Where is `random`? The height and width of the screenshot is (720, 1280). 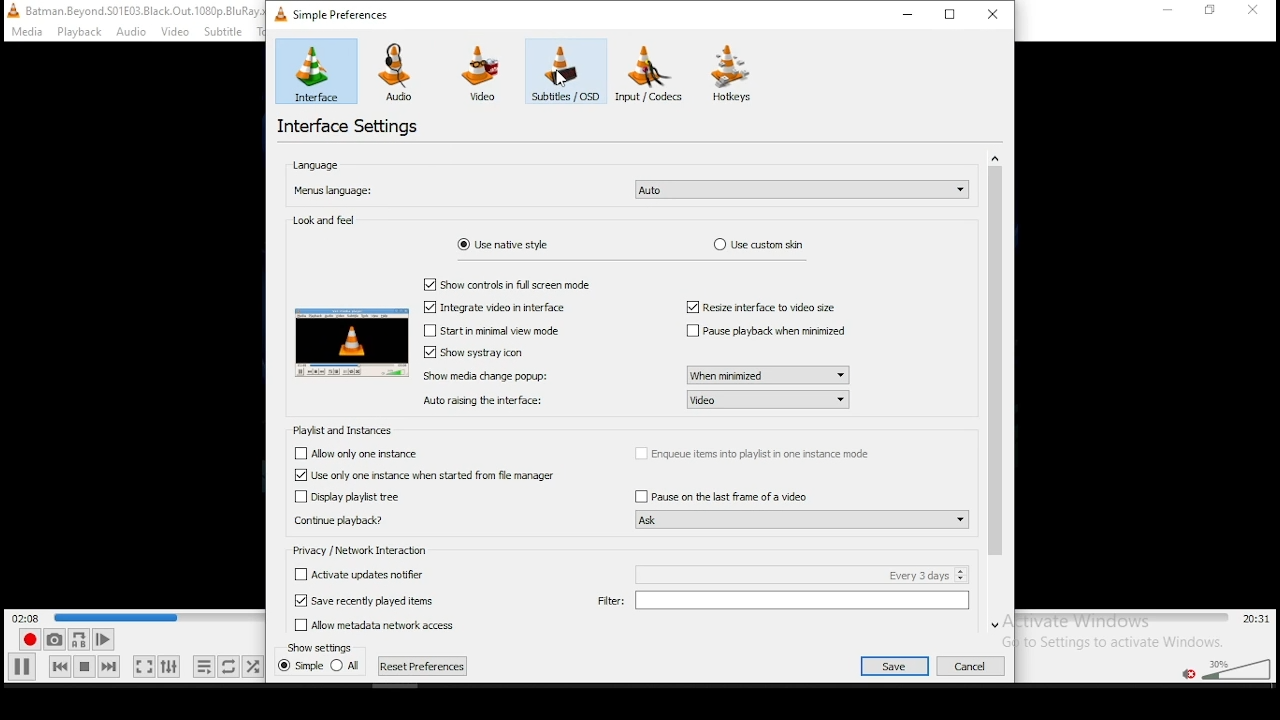
random is located at coordinates (252, 666).